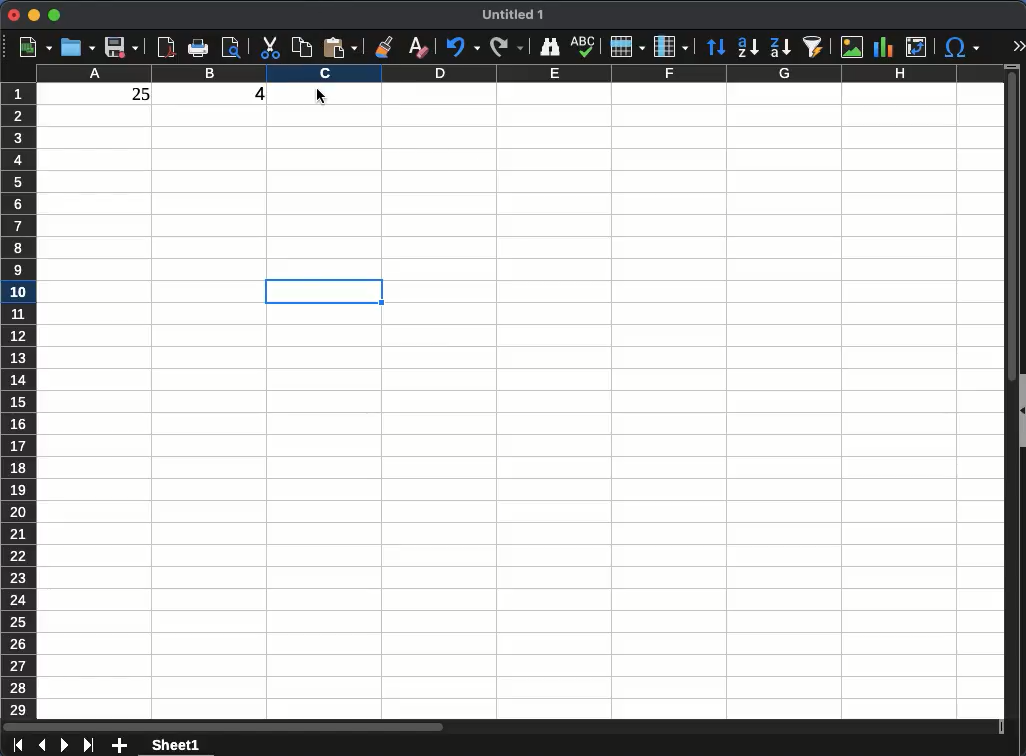  I want to click on column, so click(671, 45).